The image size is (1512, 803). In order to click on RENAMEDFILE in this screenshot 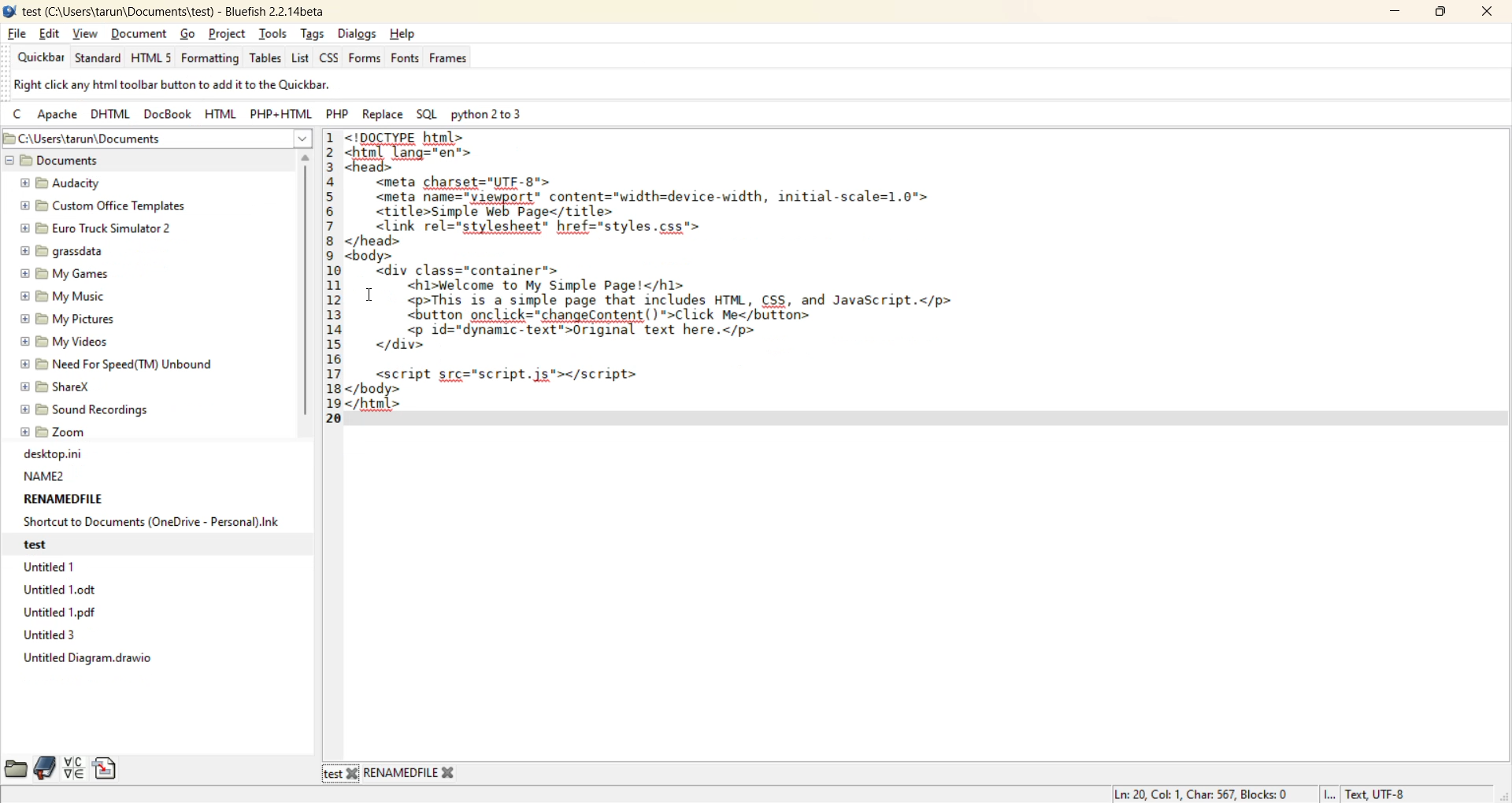, I will do `click(64, 498)`.